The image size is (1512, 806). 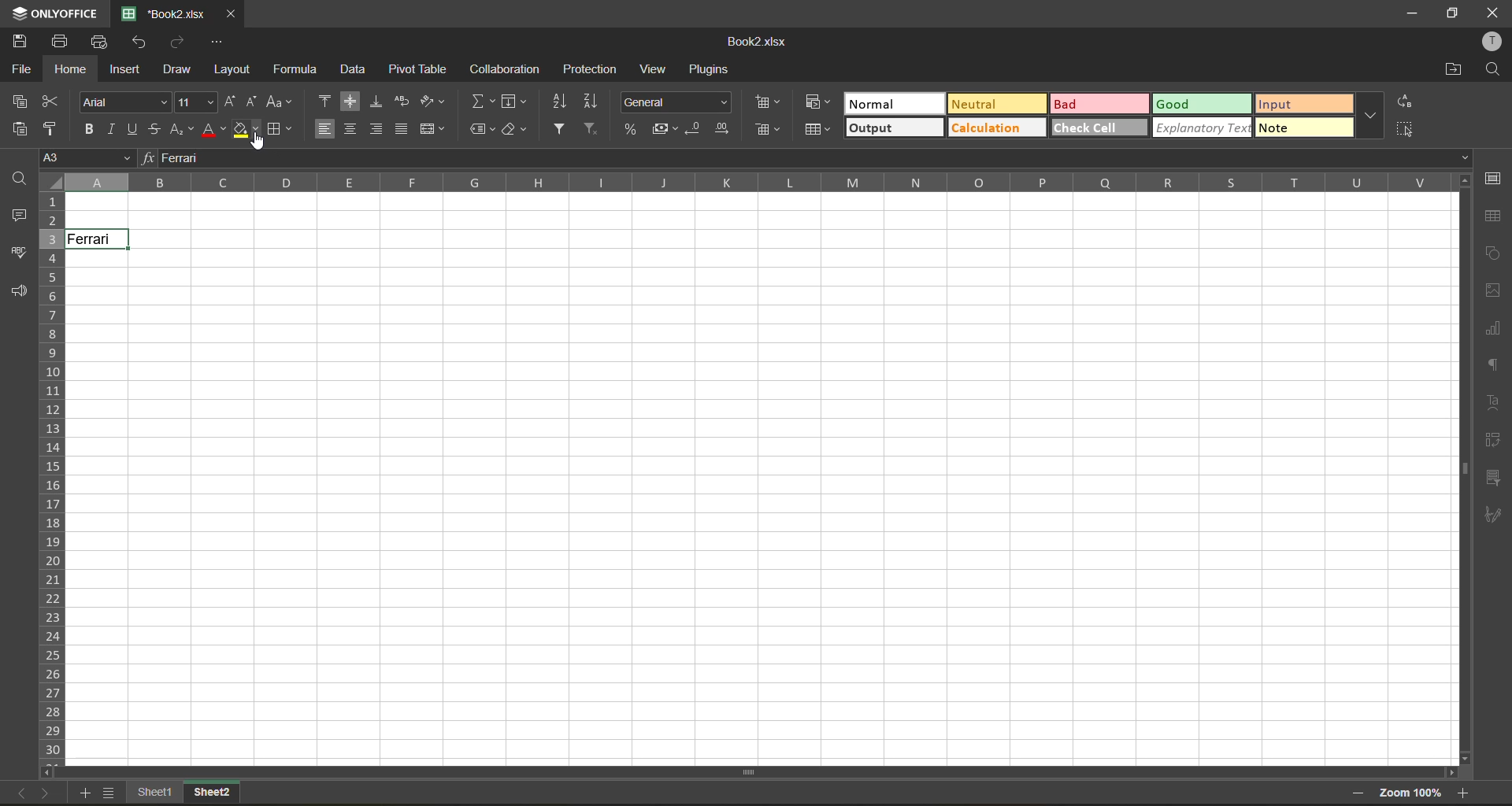 I want to click on fill color, so click(x=246, y=130).